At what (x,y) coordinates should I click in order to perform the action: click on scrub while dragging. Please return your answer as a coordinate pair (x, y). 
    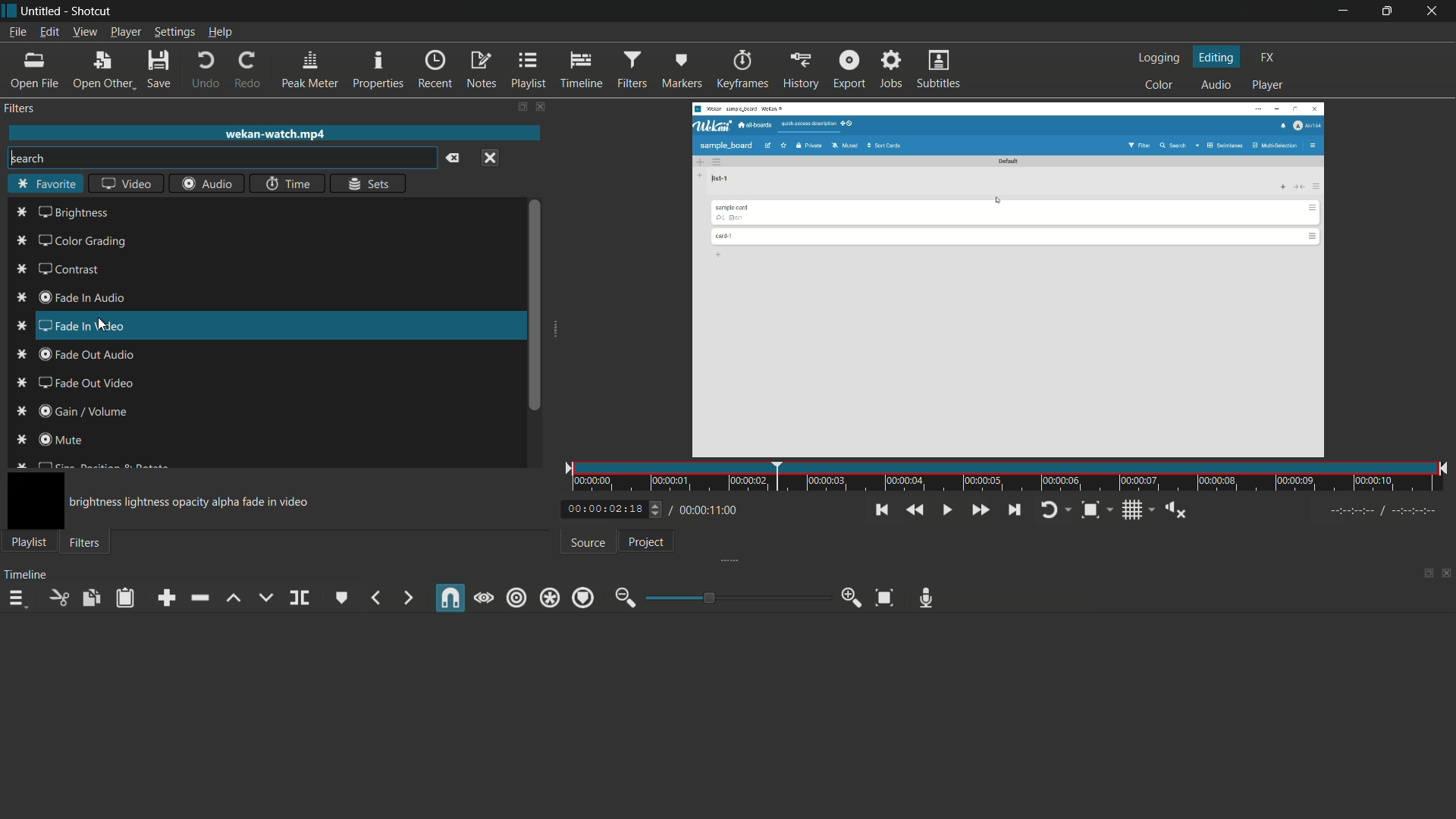
    Looking at the image, I should click on (483, 598).